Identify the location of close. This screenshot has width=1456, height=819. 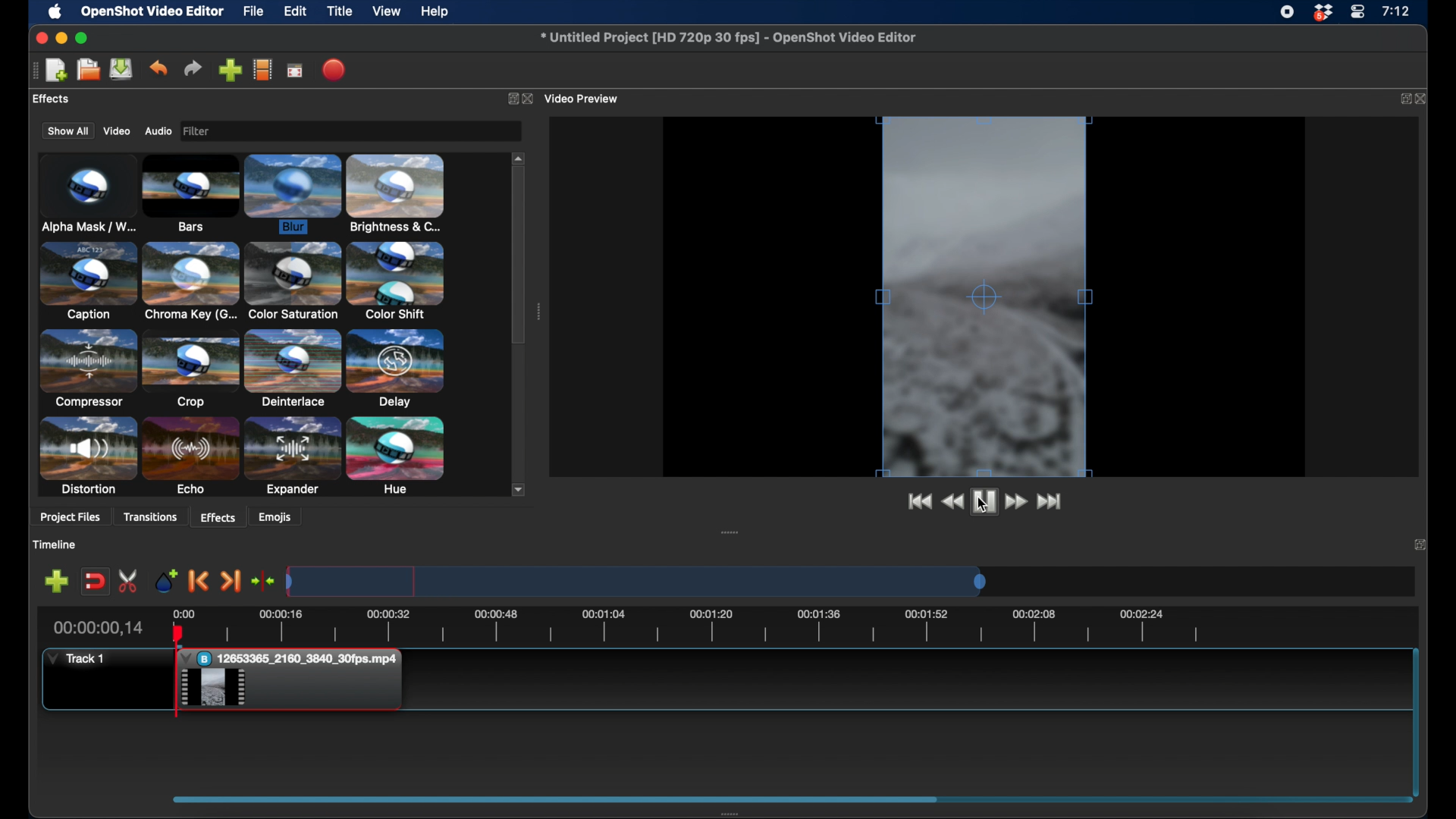
(531, 99).